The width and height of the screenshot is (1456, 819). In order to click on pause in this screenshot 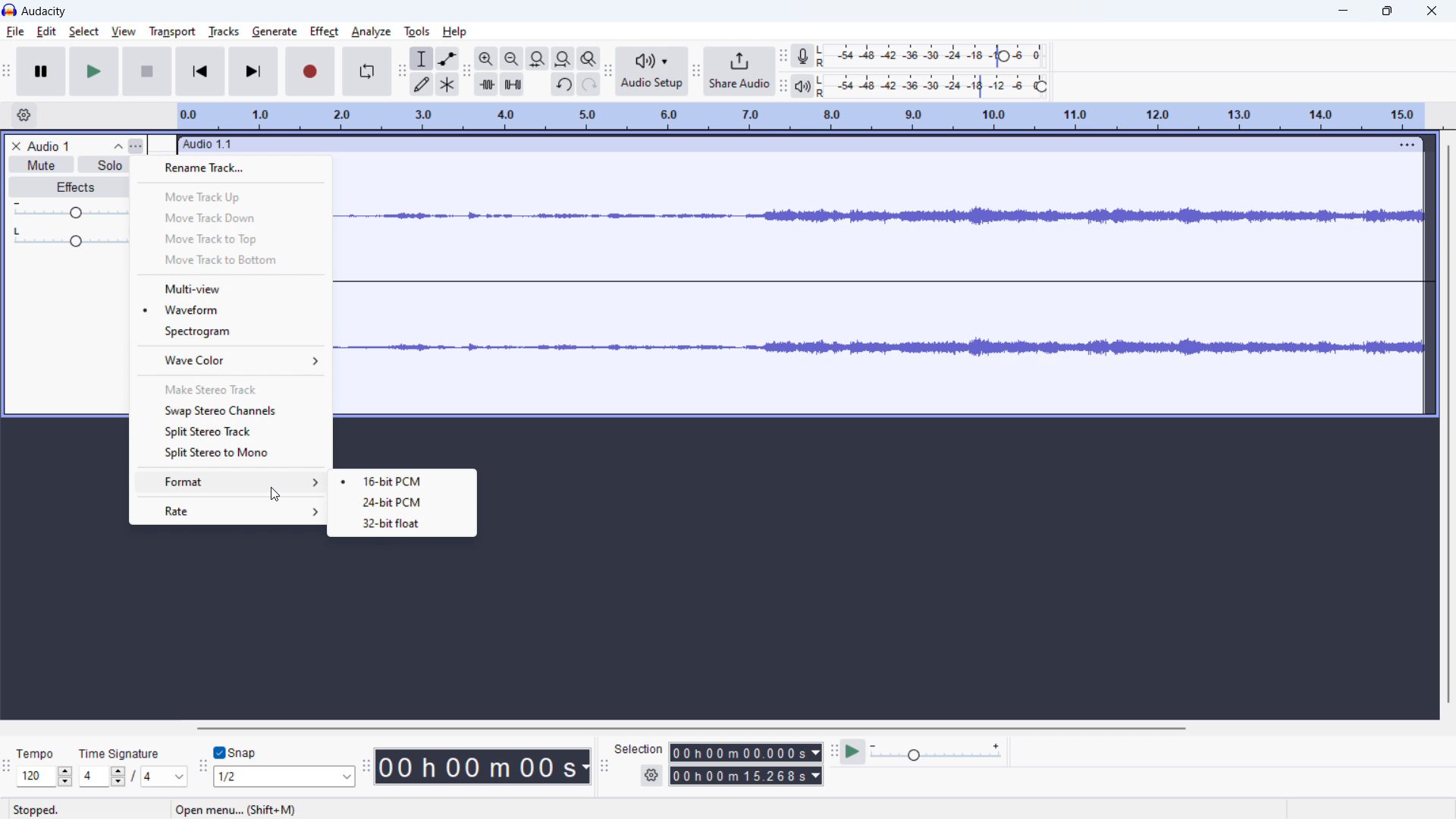, I will do `click(41, 71)`.